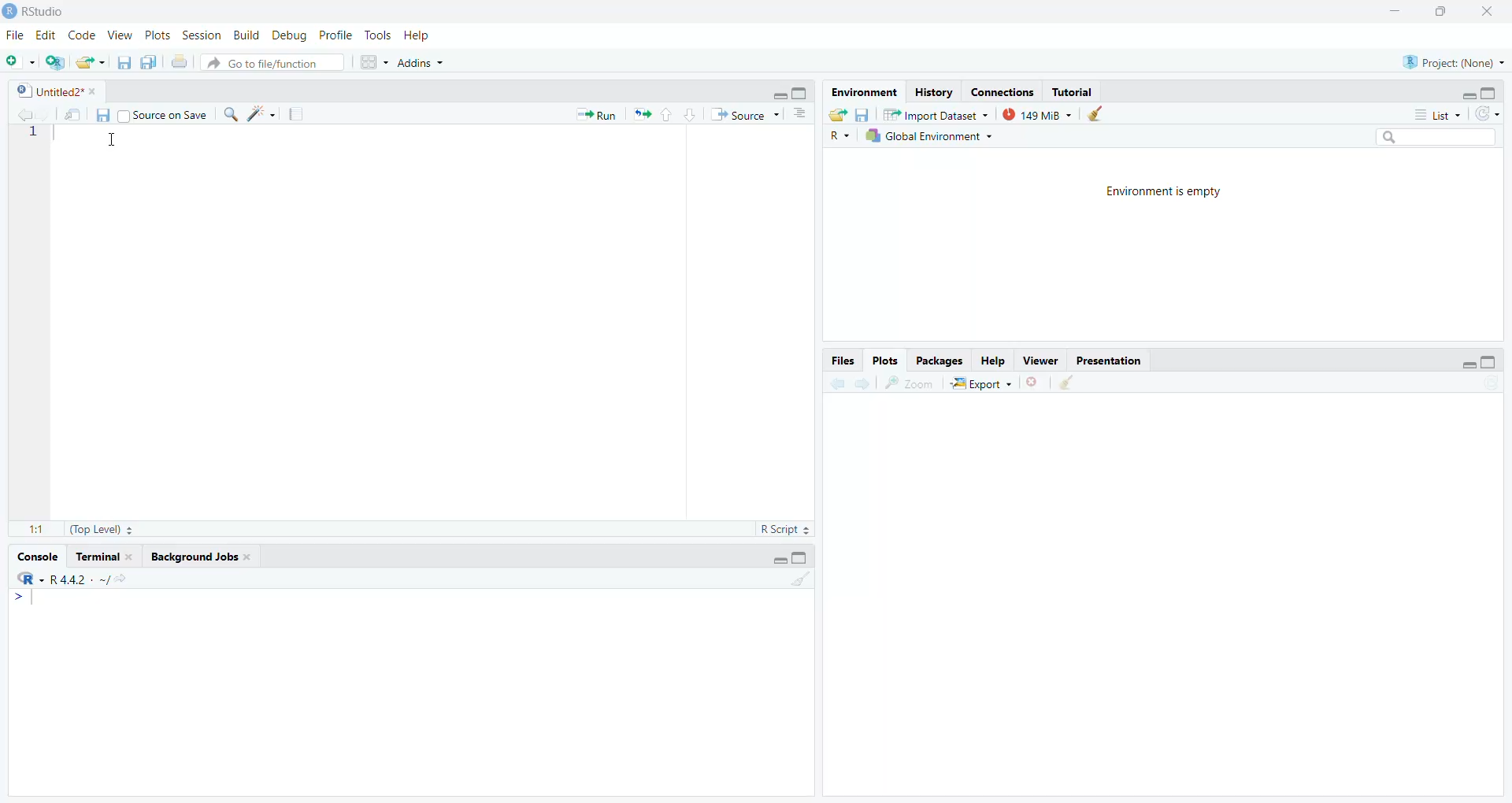  Describe the element at coordinates (123, 143) in the screenshot. I see `Text cursor` at that location.